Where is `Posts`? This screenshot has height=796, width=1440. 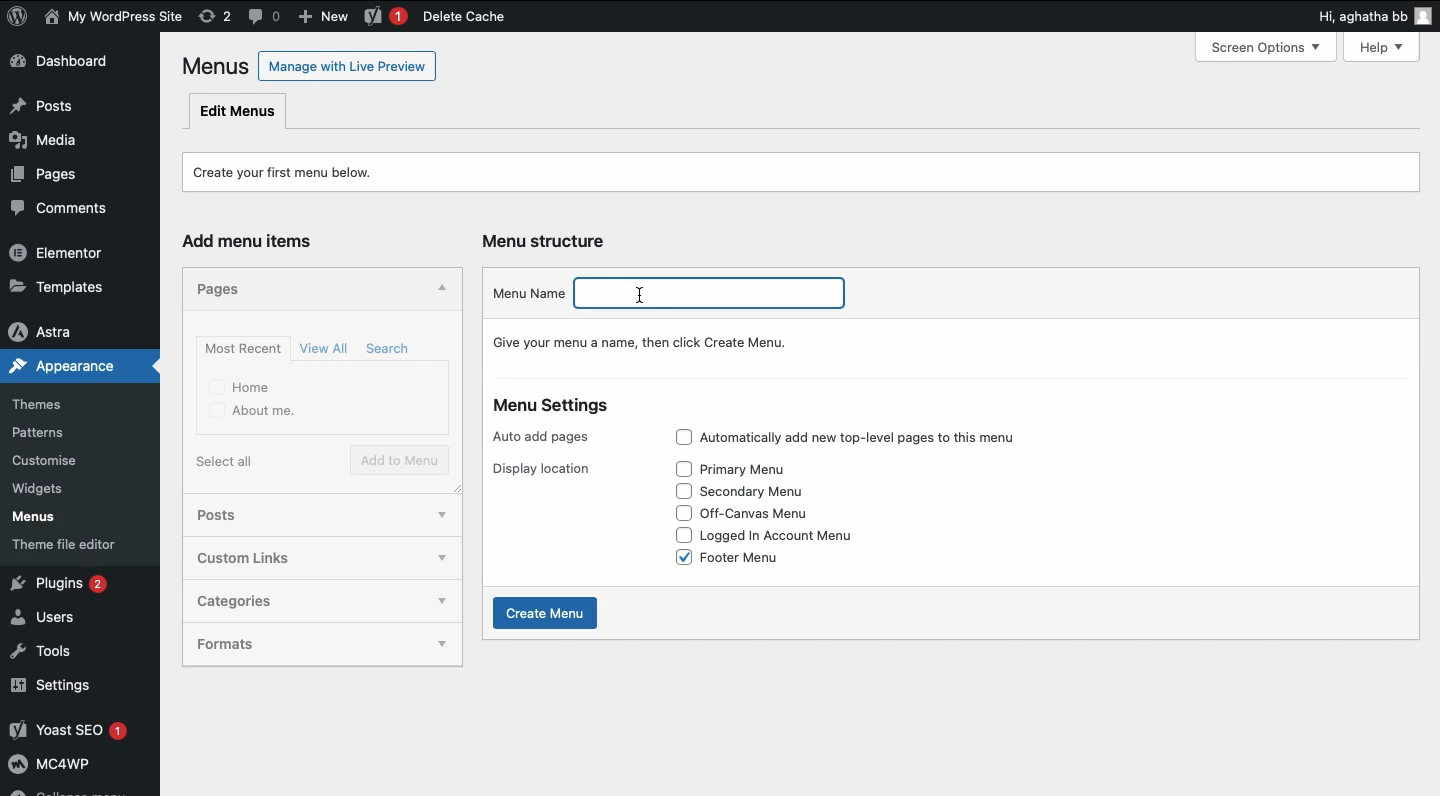 Posts is located at coordinates (74, 107).